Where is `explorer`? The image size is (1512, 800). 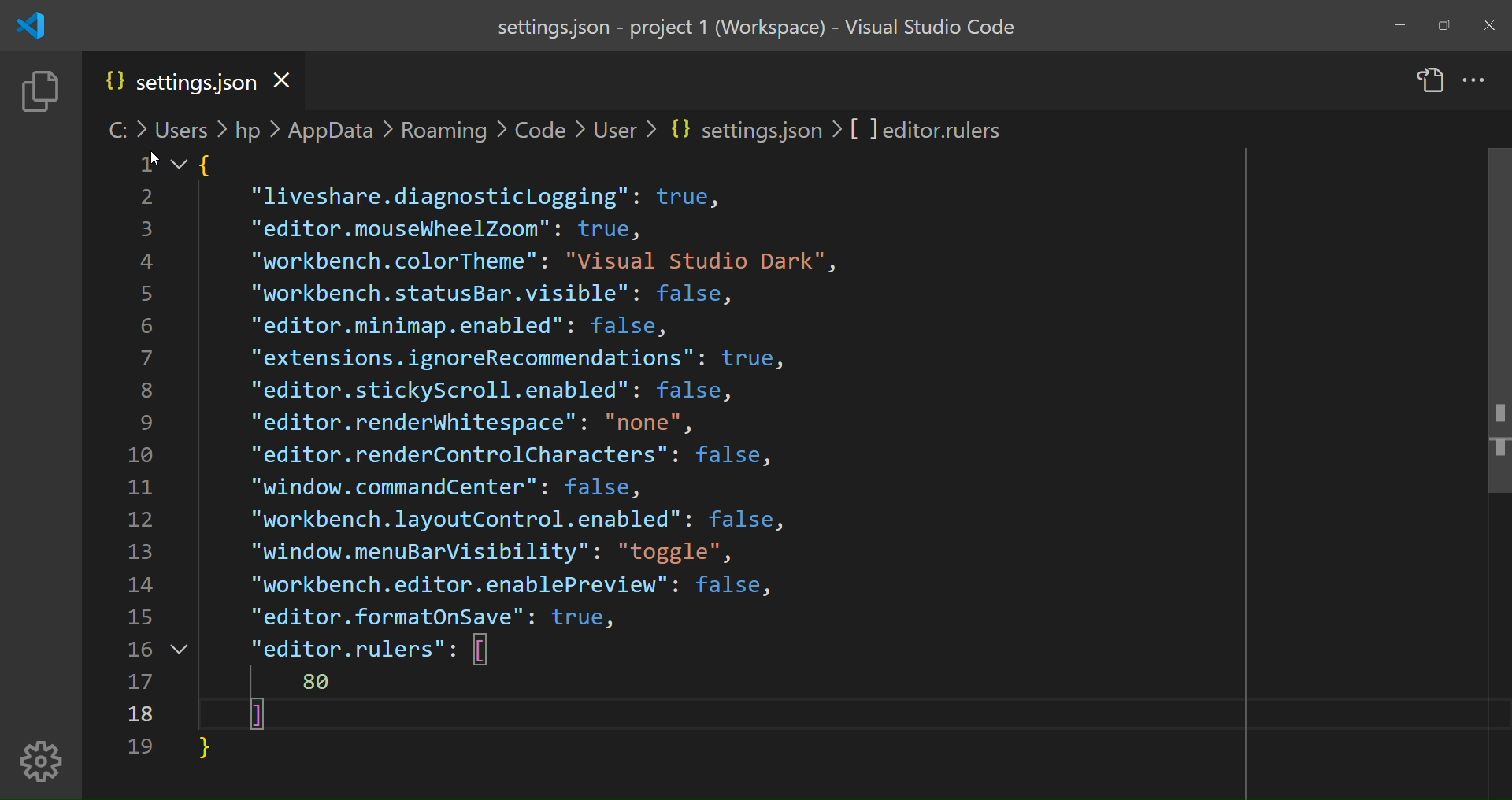 explorer is located at coordinates (38, 93).